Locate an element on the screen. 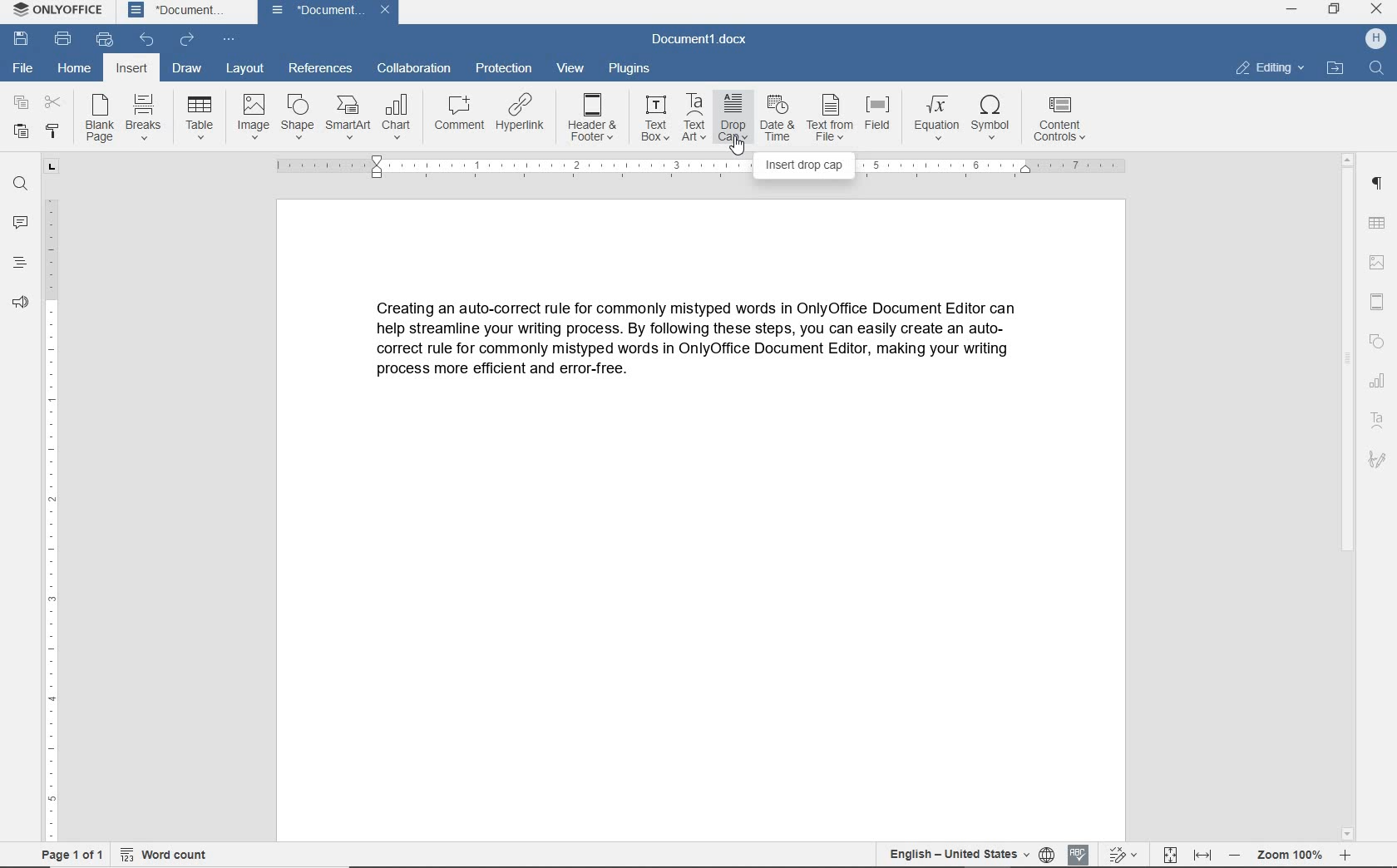  header & footer is located at coordinates (1380, 298).